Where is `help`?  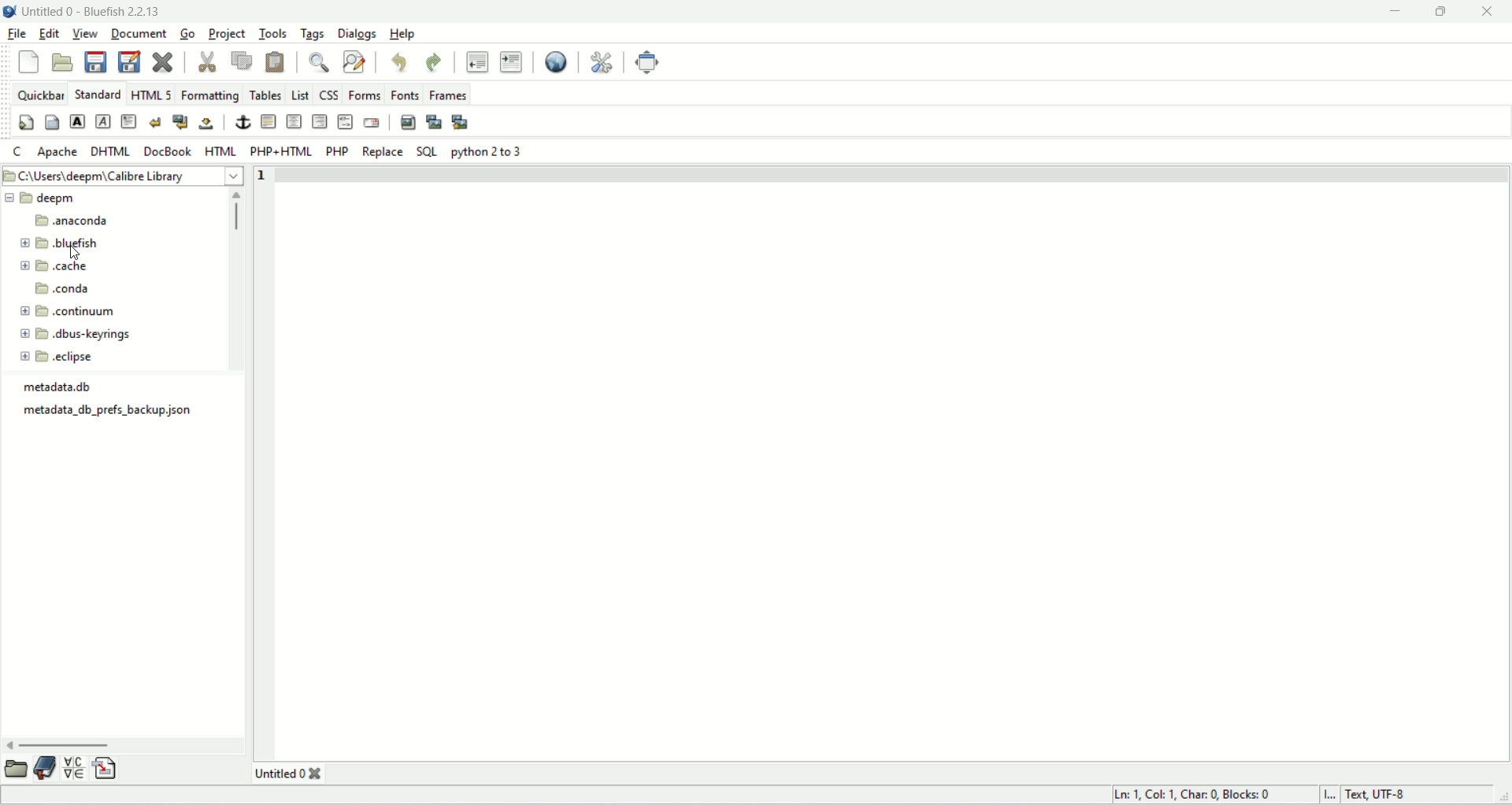
help is located at coordinates (400, 34).